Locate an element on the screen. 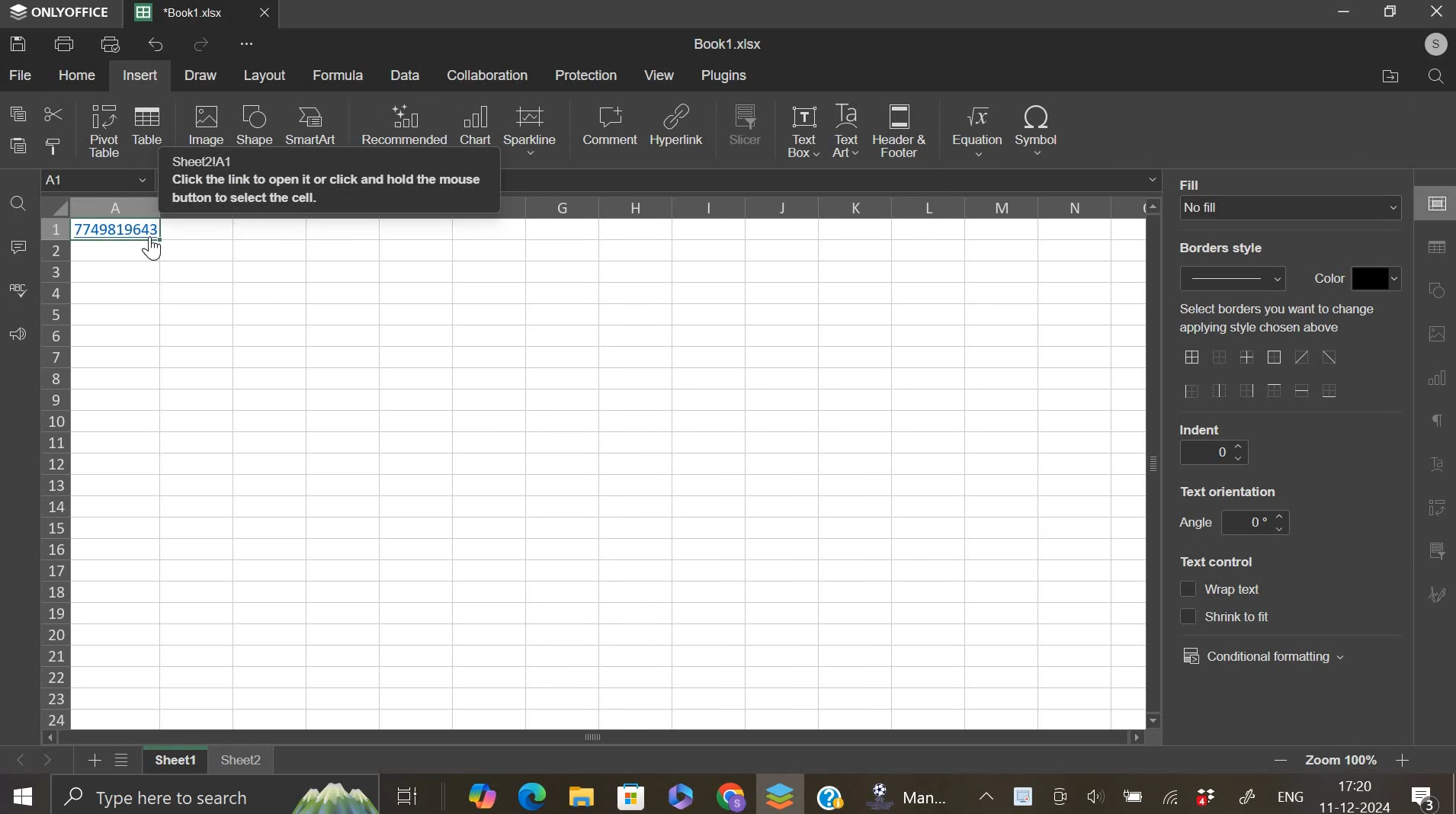 The height and width of the screenshot is (814, 1456). move sheets is located at coordinates (36, 759).